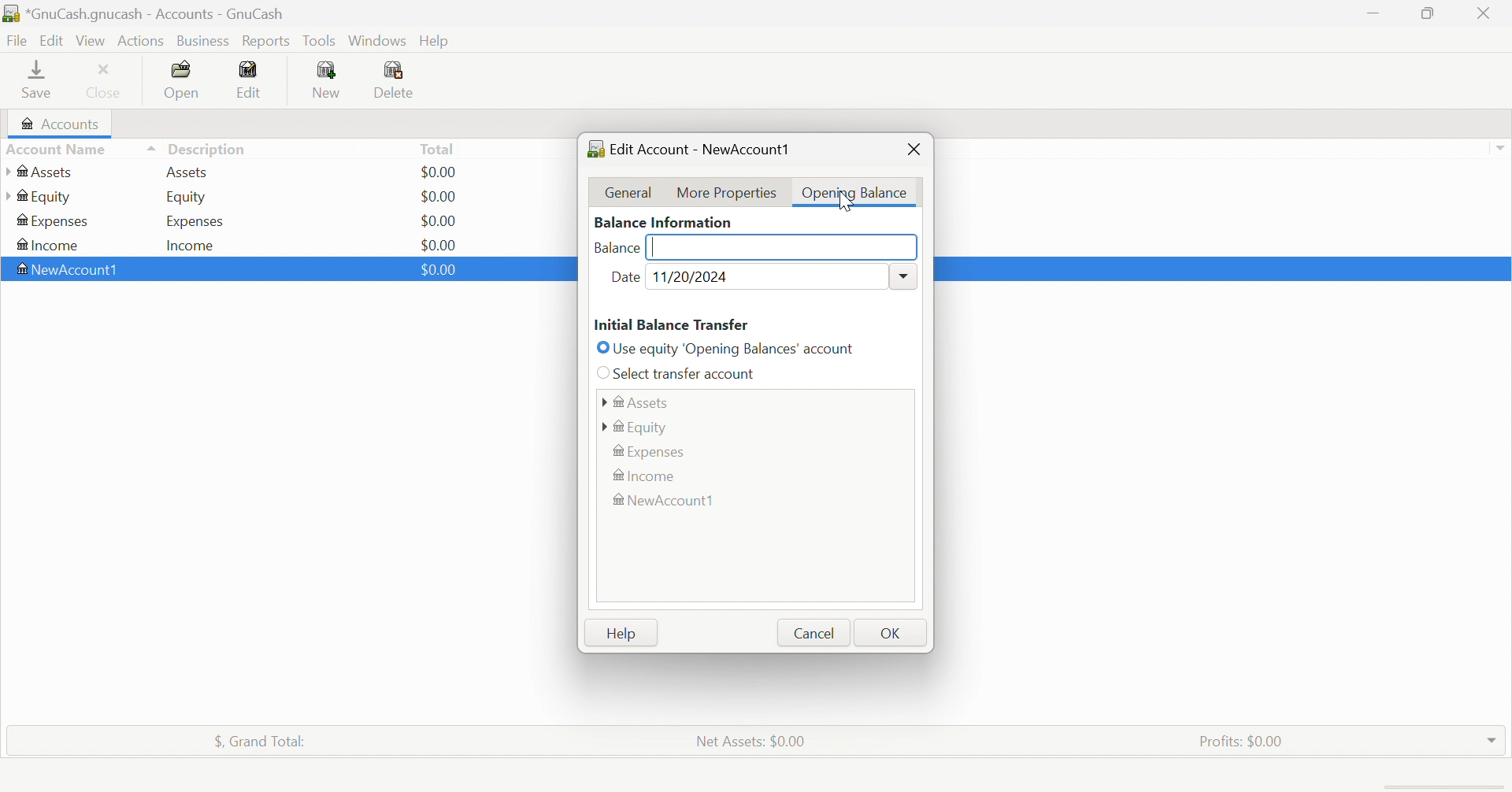 The width and height of the screenshot is (1512, 792). What do you see at coordinates (321, 39) in the screenshot?
I see `Tools` at bounding box center [321, 39].